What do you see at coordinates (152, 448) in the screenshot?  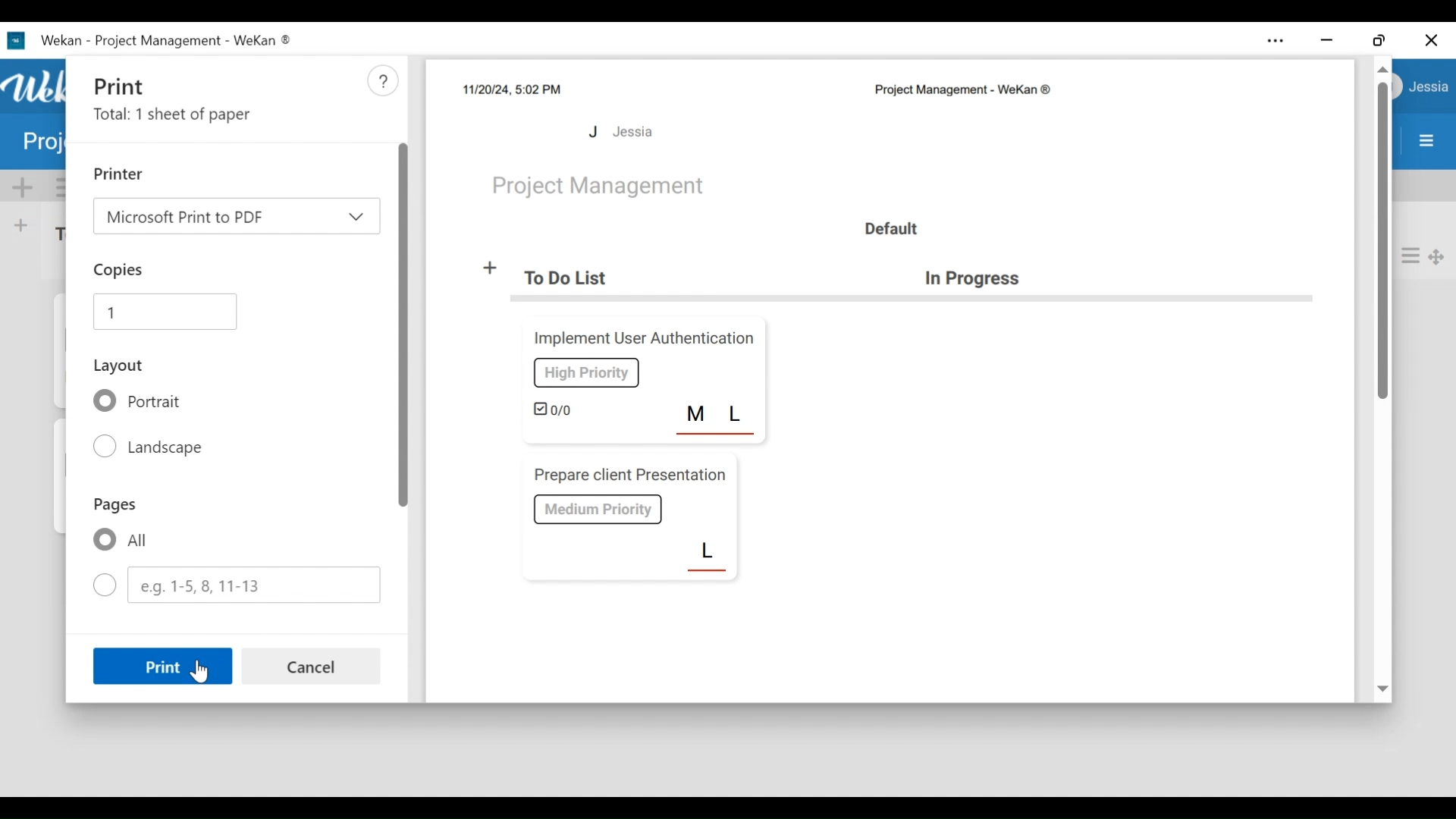 I see `(un)select landscape` at bounding box center [152, 448].